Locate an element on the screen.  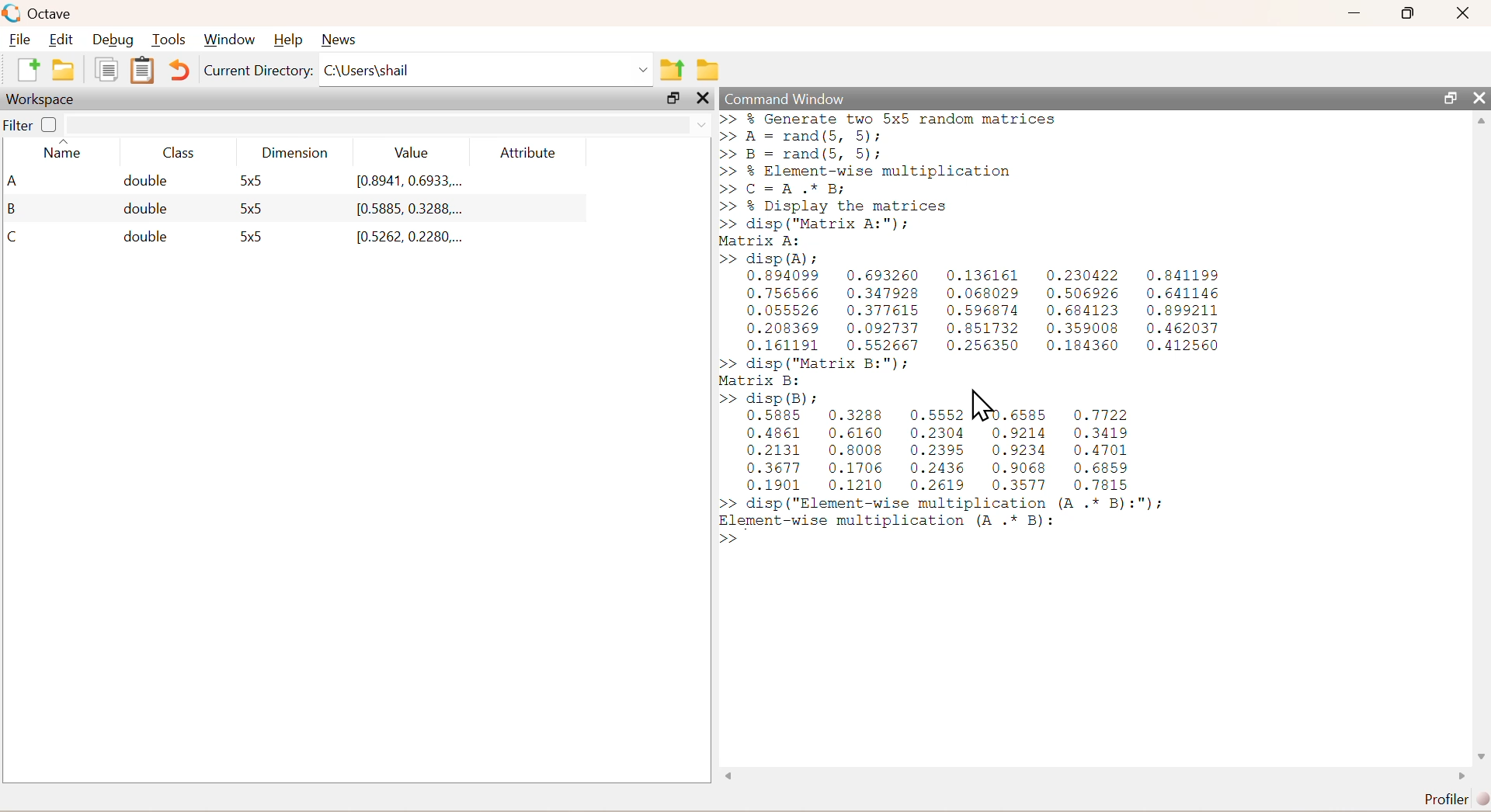
Debug is located at coordinates (116, 39).